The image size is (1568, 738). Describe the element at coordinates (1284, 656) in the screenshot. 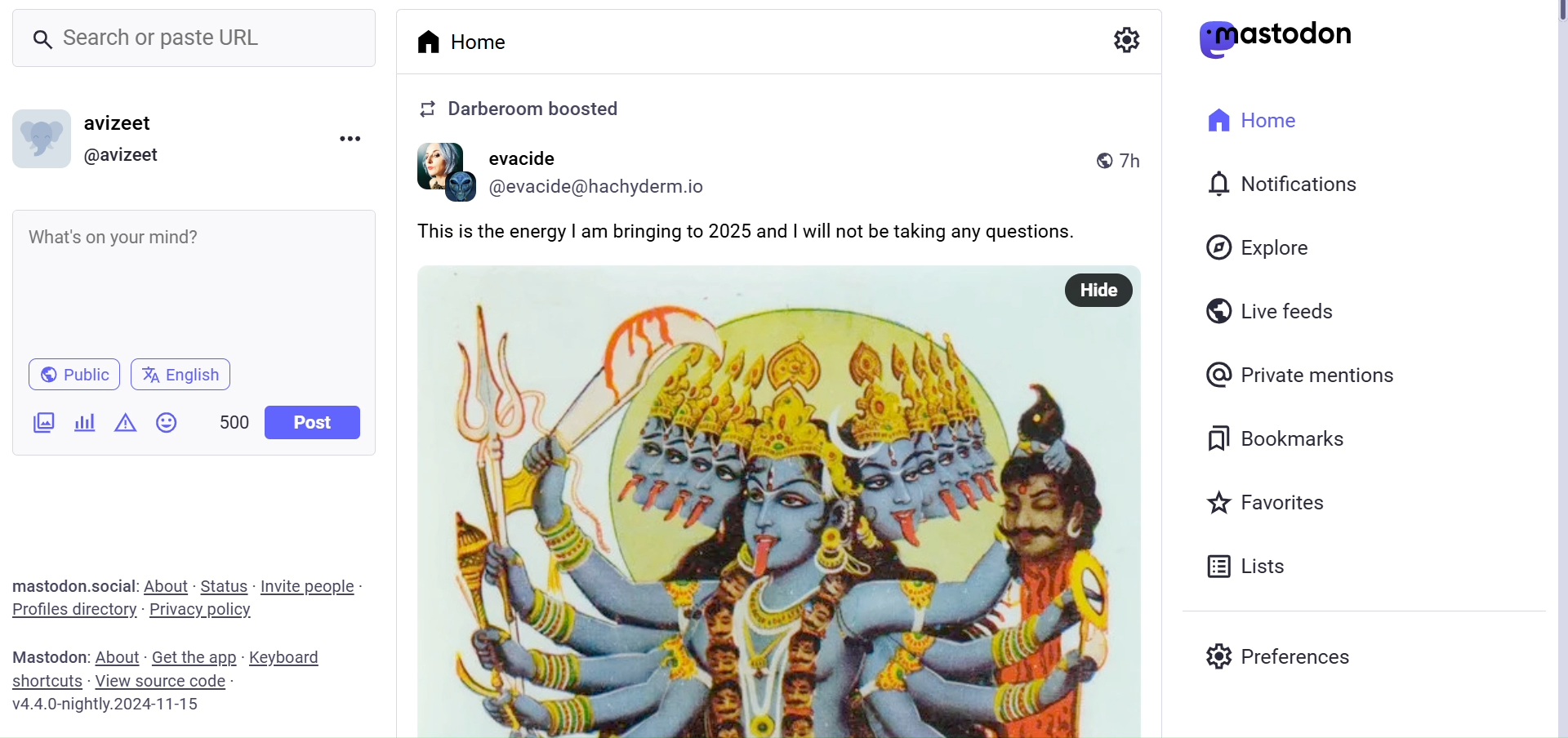

I see `Preferences` at that location.